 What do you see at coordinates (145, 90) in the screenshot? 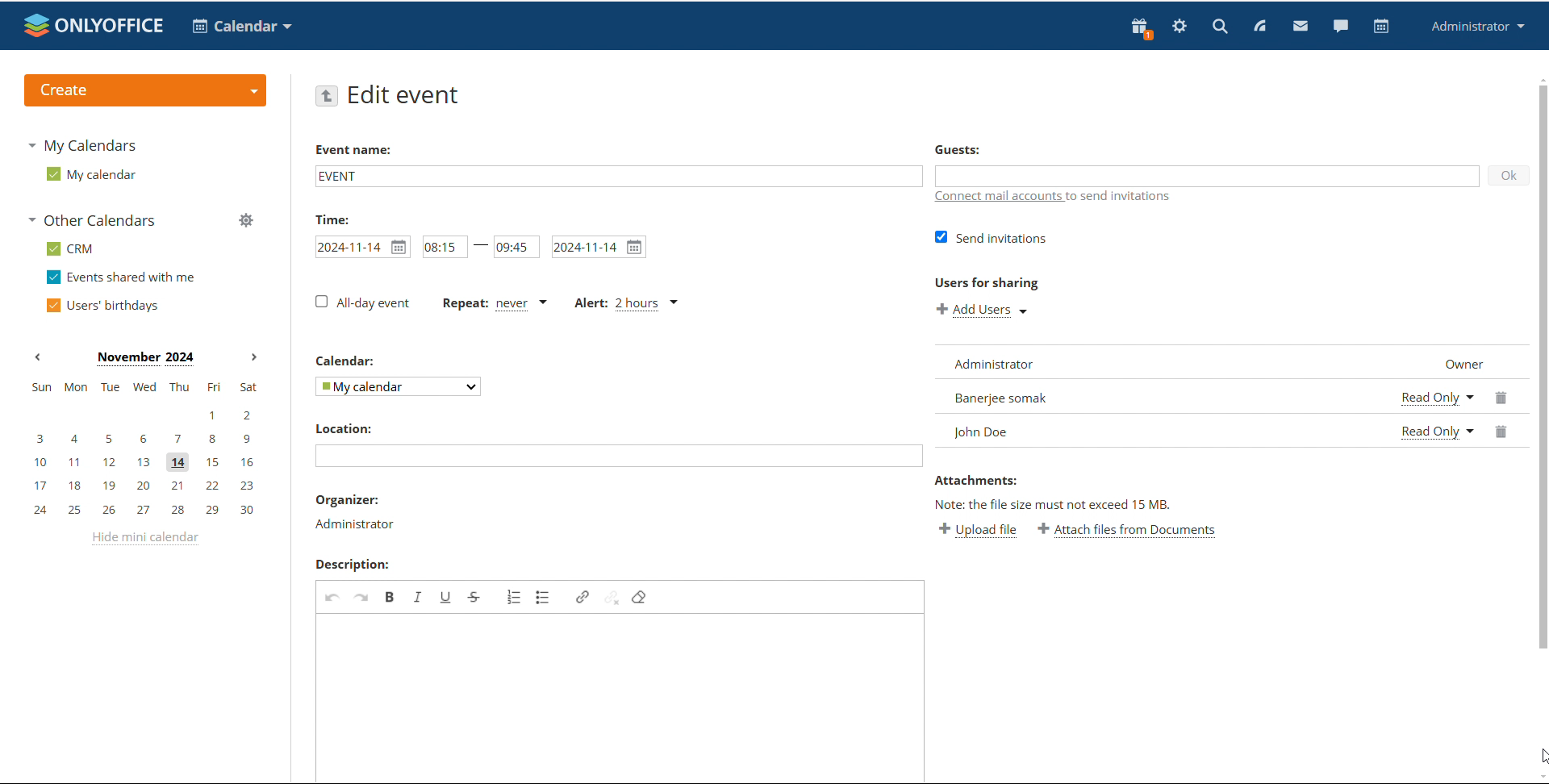
I see `create` at bounding box center [145, 90].